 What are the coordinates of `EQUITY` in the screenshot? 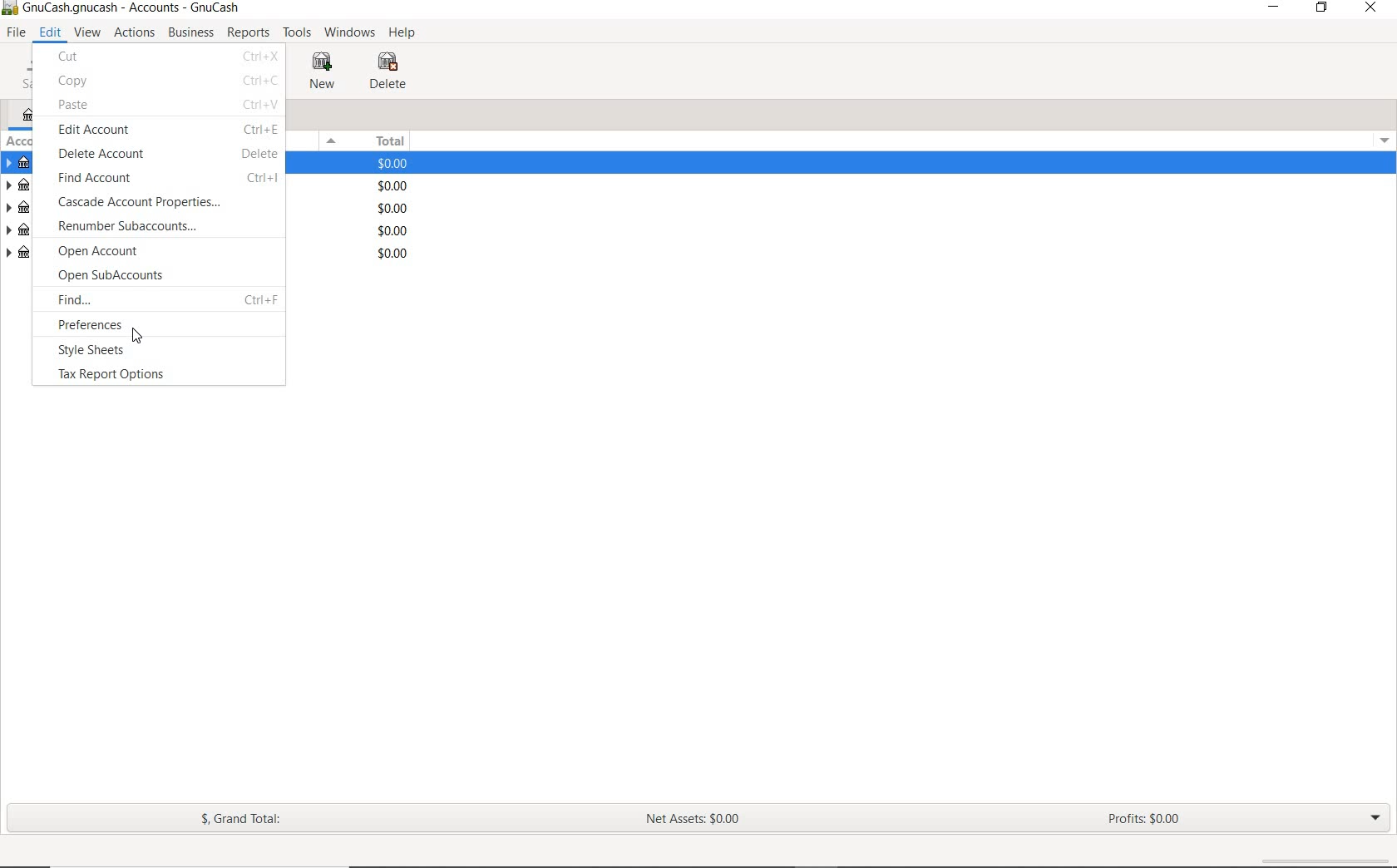 It's located at (357, 255).